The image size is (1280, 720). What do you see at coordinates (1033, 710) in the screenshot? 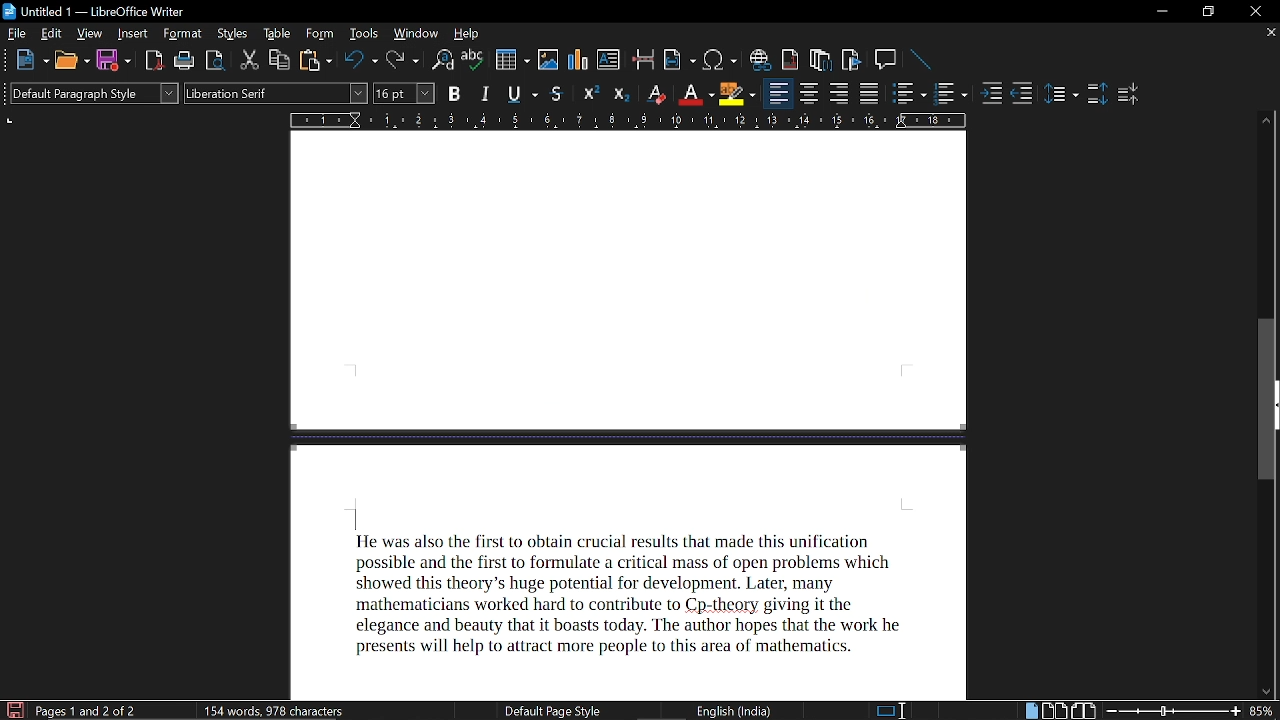
I see `single page view Single page view` at bounding box center [1033, 710].